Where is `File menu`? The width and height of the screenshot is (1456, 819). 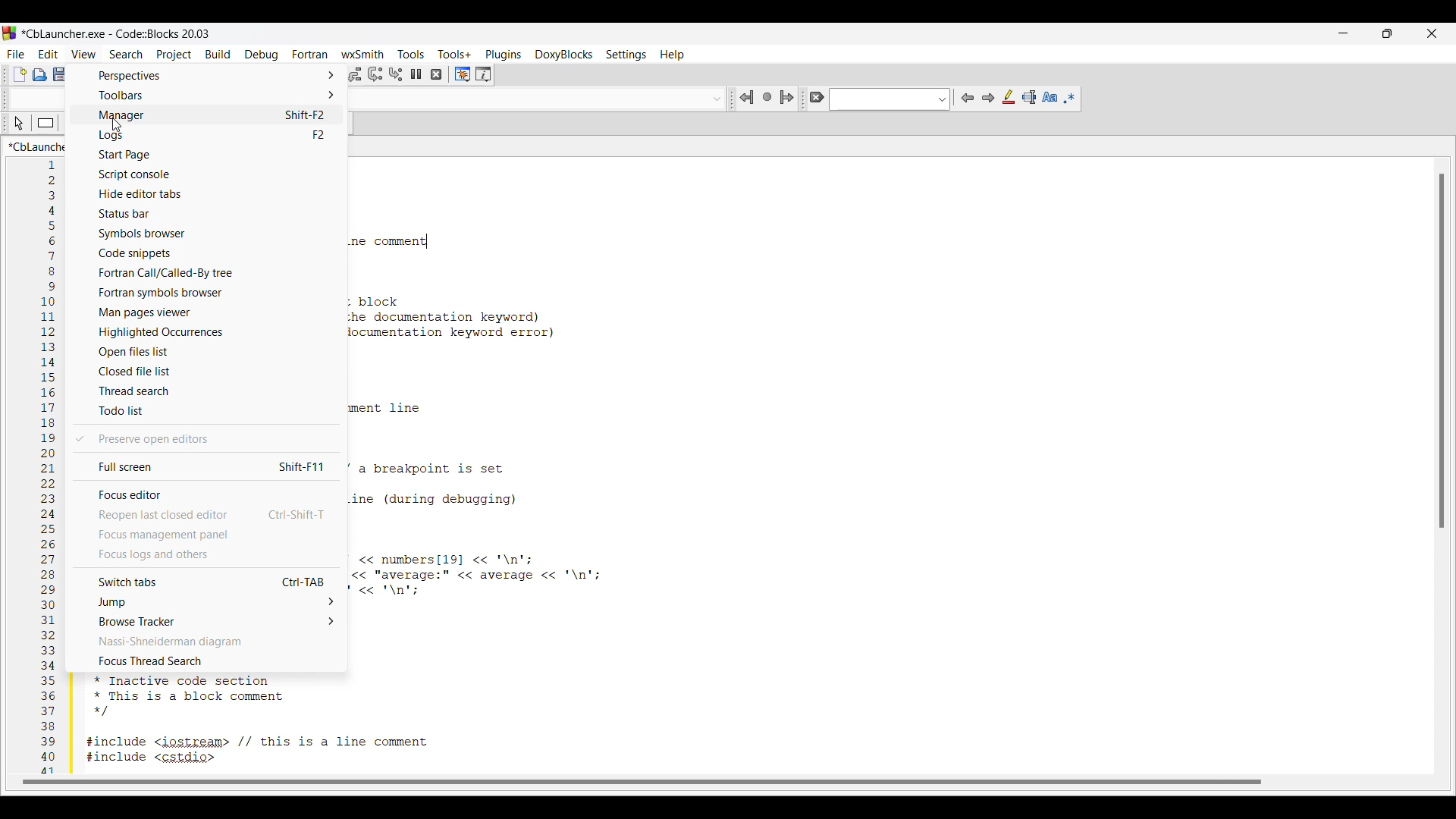 File menu is located at coordinates (16, 55).